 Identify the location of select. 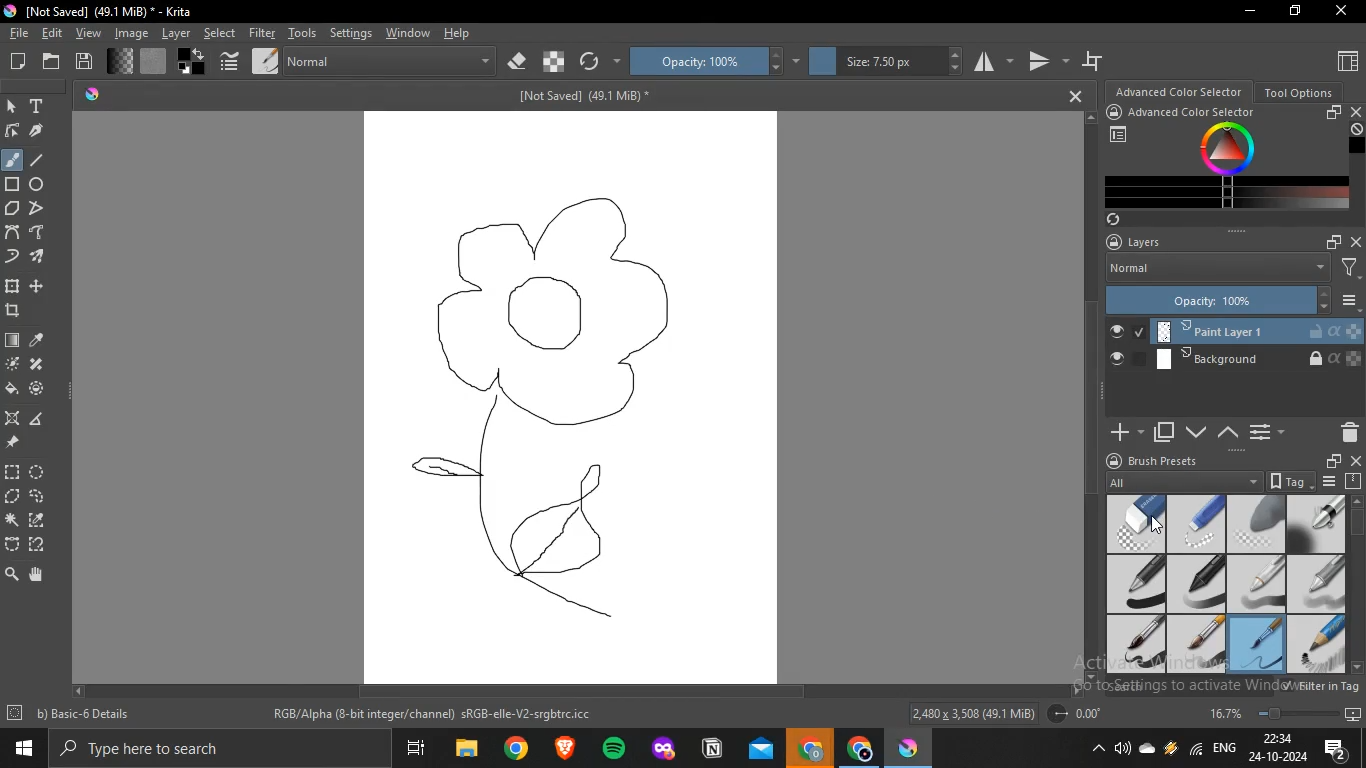
(220, 33).